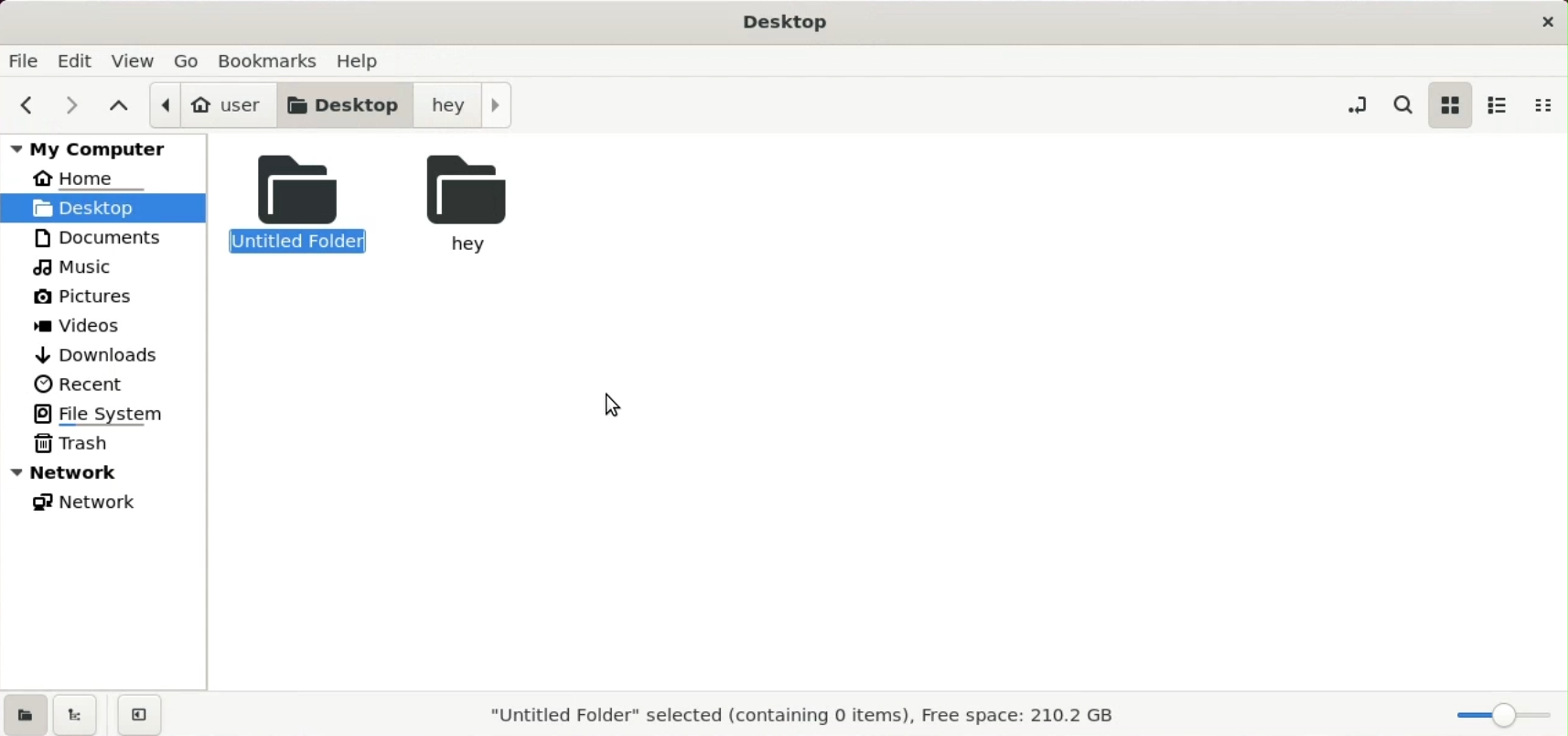 This screenshot has width=1568, height=736. Describe the element at coordinates (806, 714) in the screenshot. I see `"Untitled Folder" selected (containing 0 items), Free space: 210.2 GB` at that location.